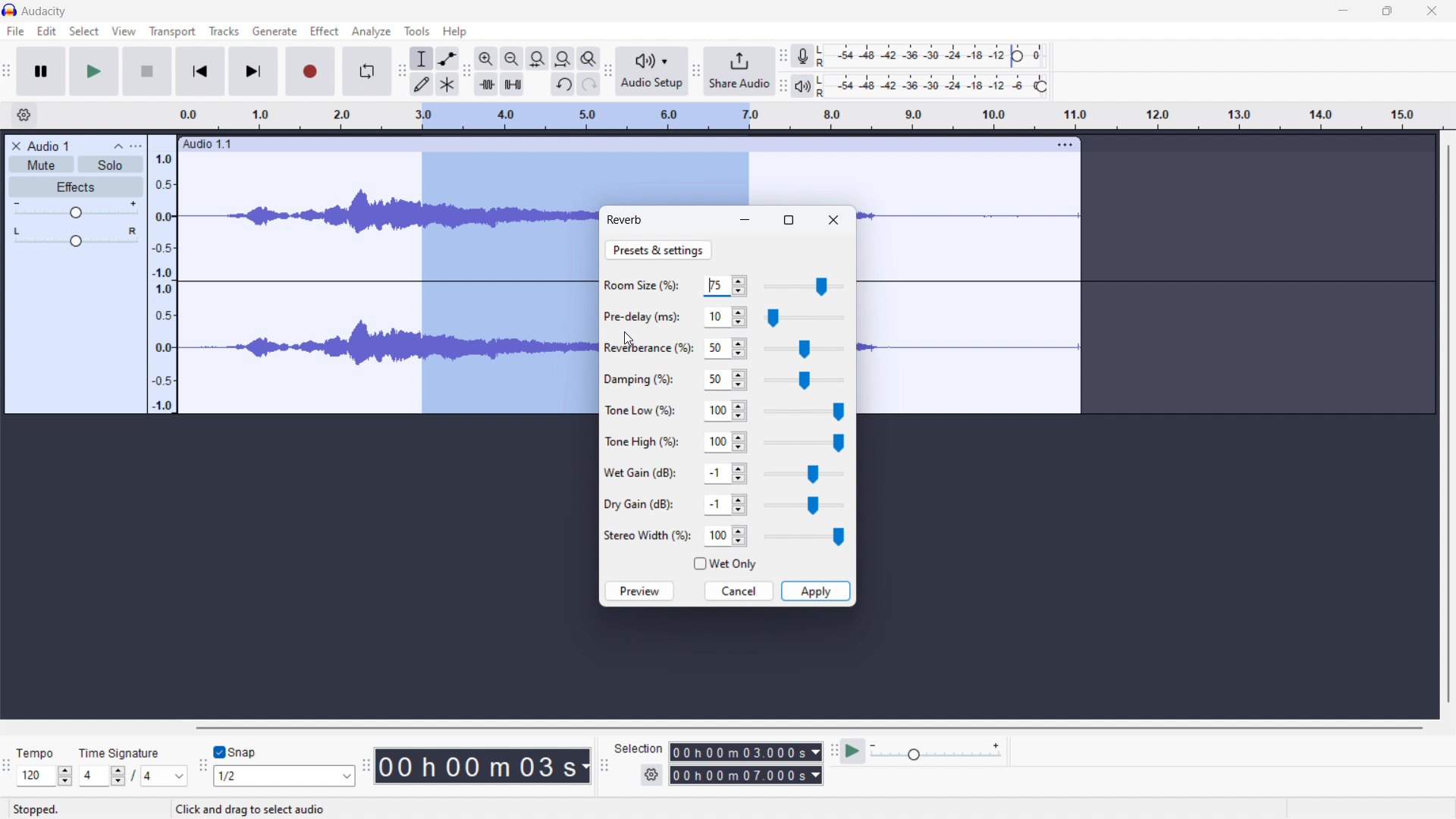 Image resolution: width=1456 pixels, height=819 pixels. I want to click on close, so click(1432, 11).